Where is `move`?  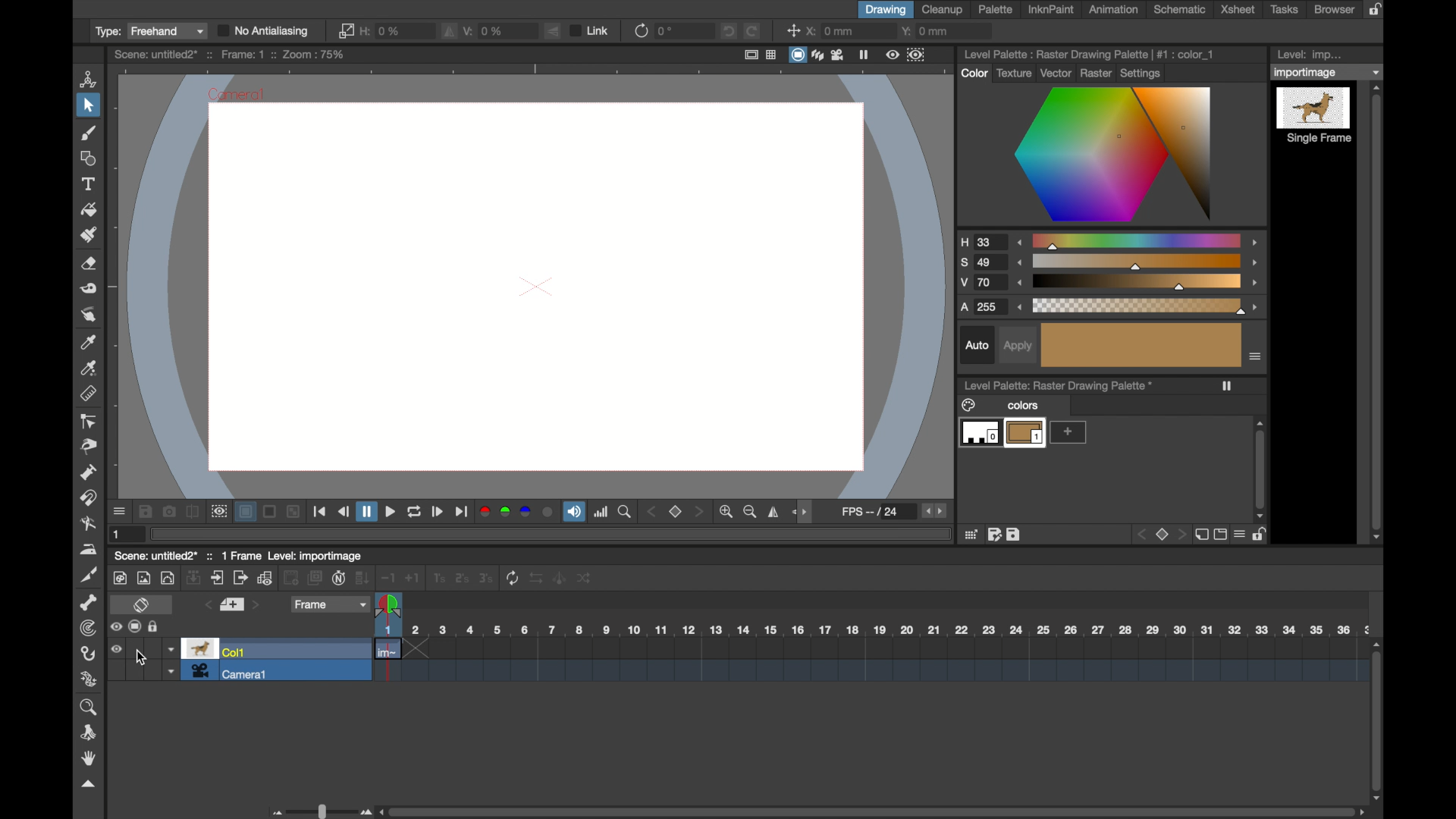 move is located at coordinates (218, 577).